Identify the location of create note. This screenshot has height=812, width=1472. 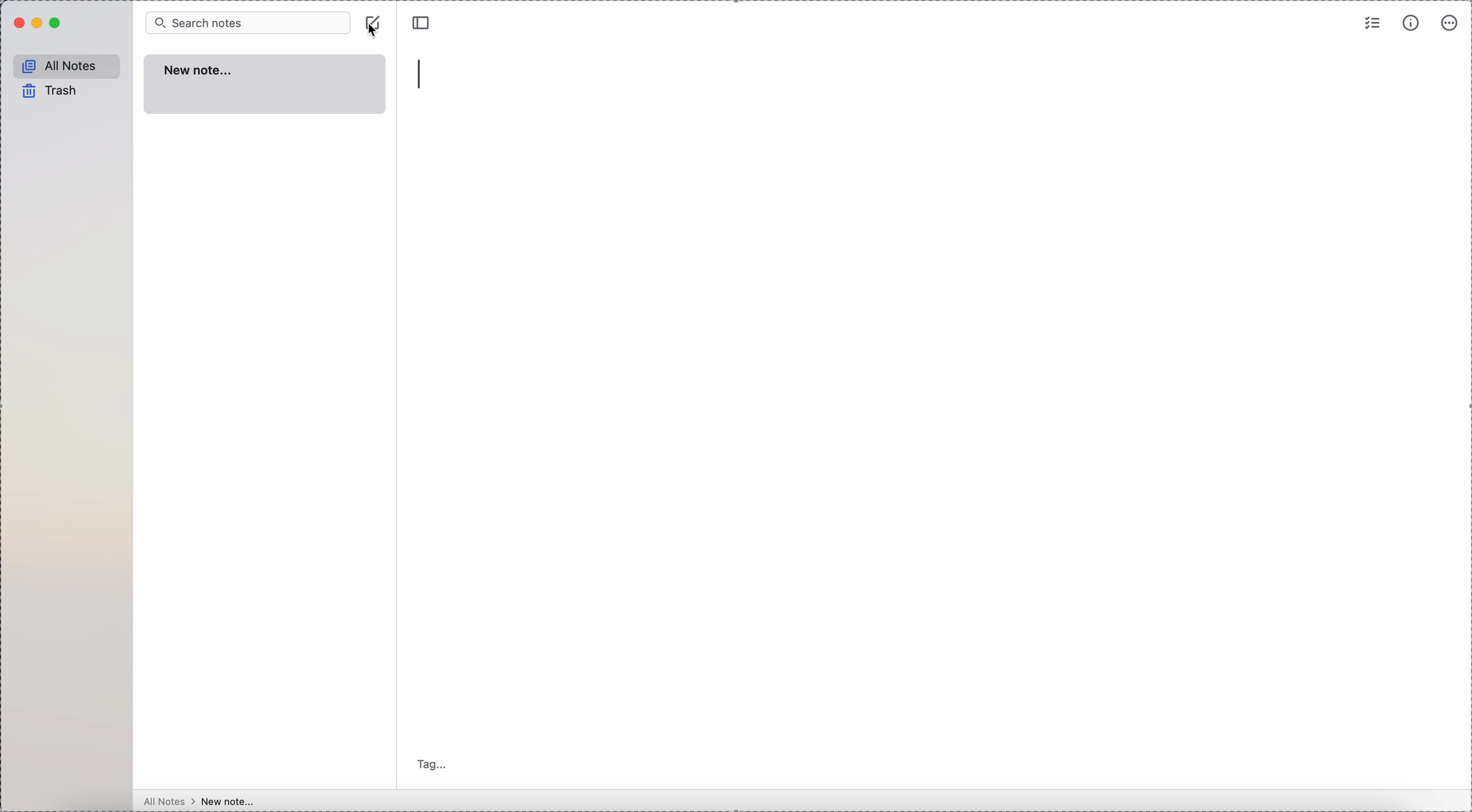
(374, 17).